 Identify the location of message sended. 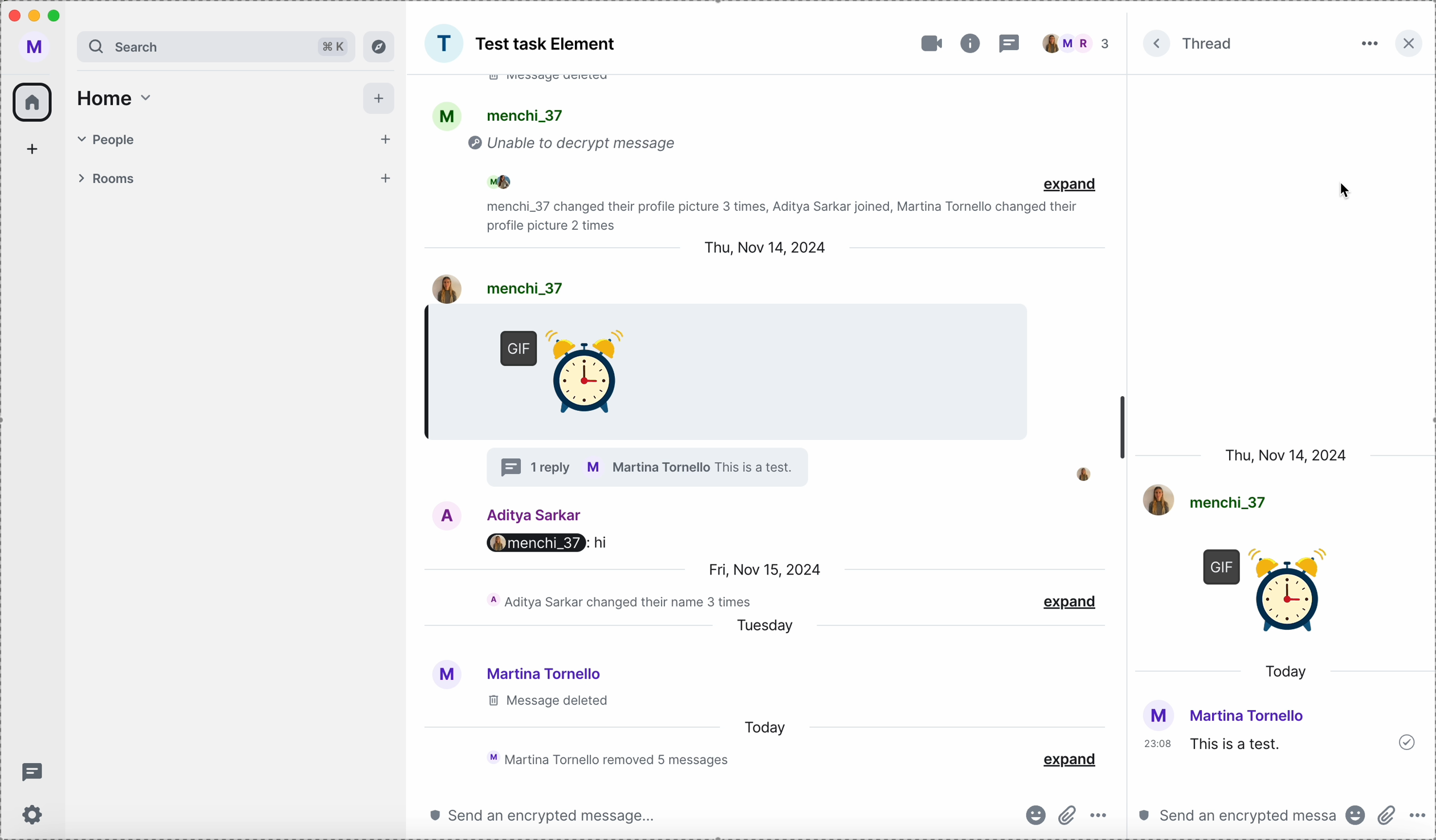
(1282, 736).